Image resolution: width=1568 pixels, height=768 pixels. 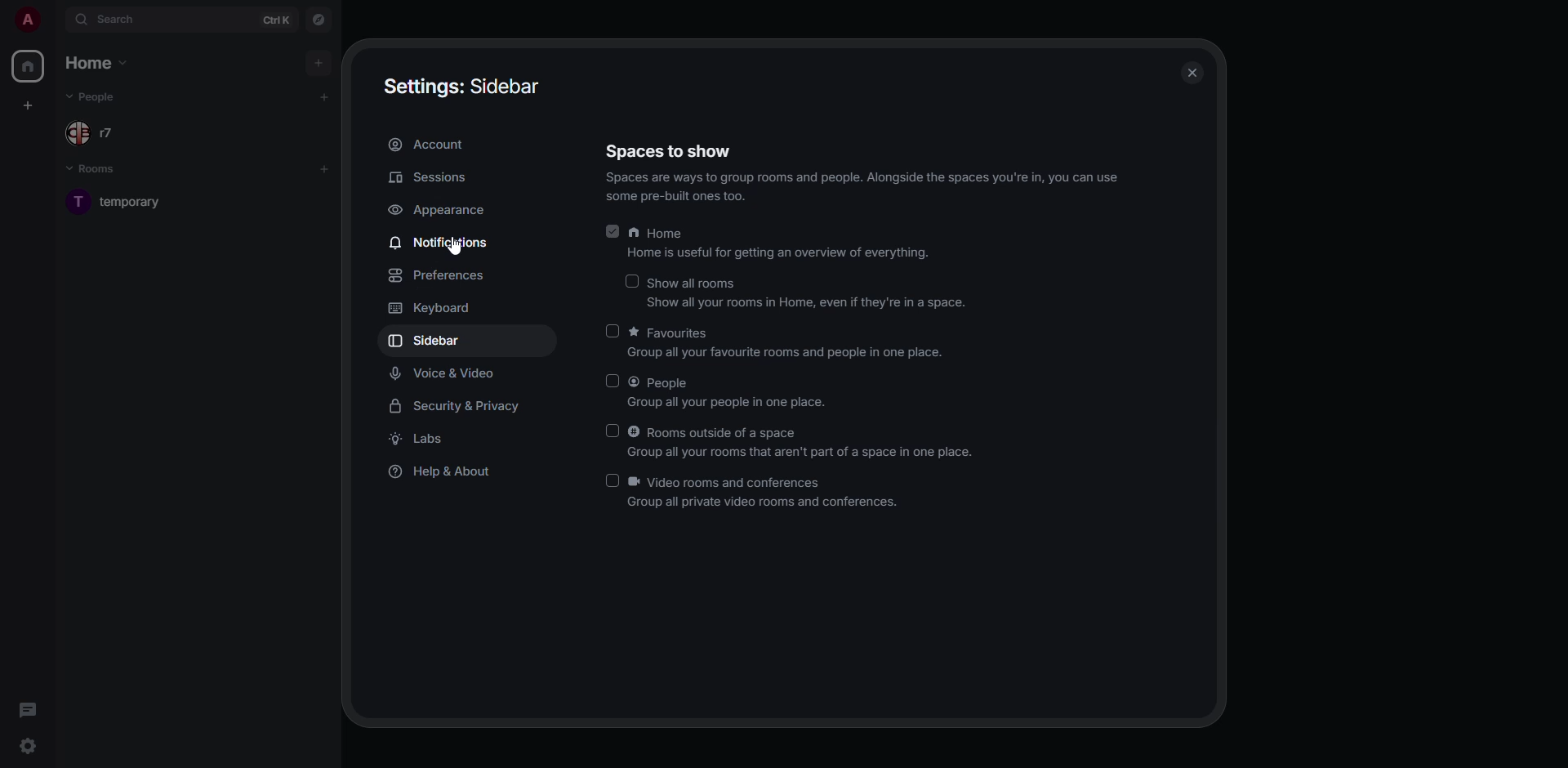 I want to click on show all rooms, so click(x=809, y=293).